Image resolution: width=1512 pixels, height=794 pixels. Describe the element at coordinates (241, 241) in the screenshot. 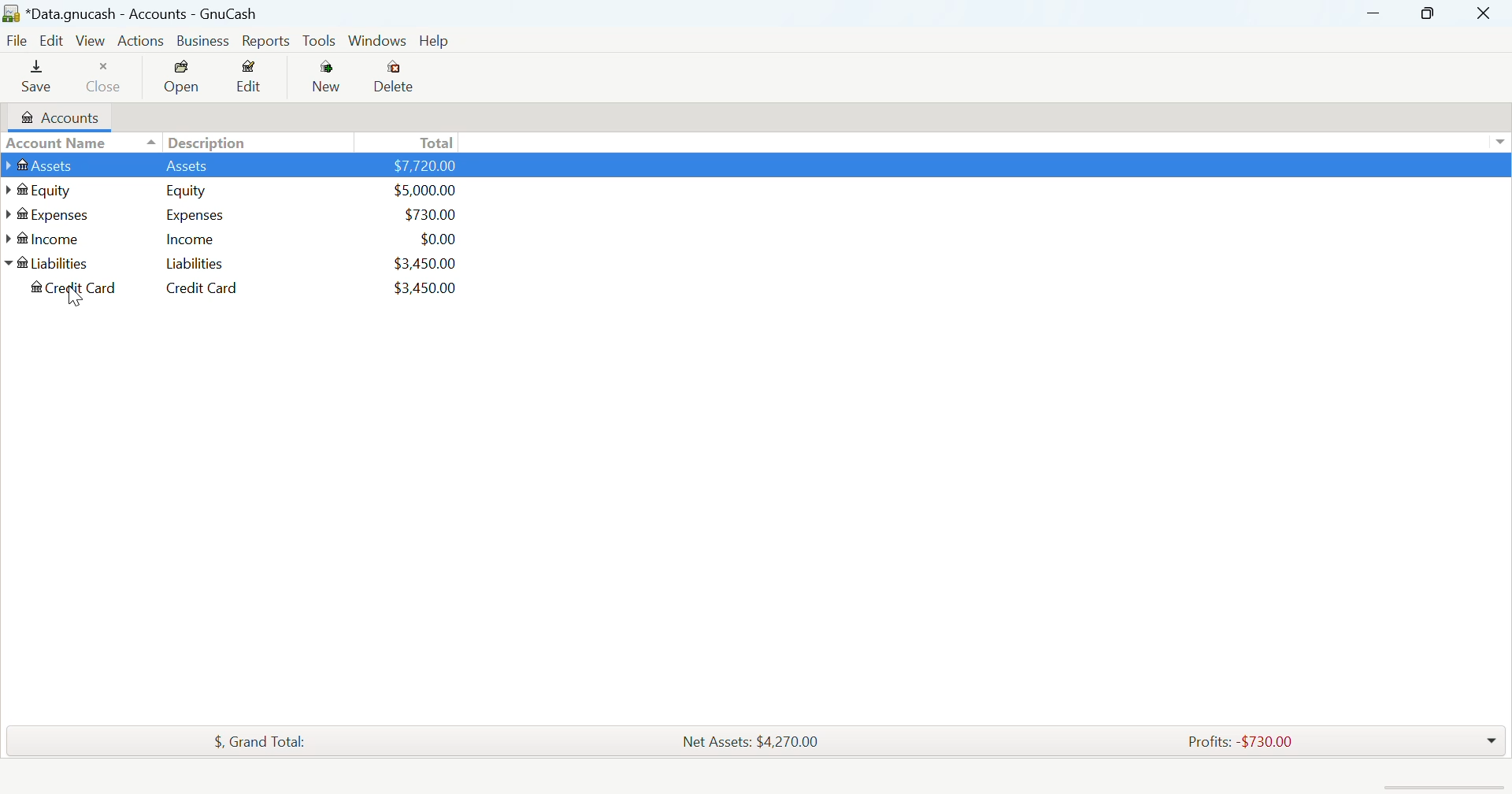

I see `Income Income $0.00` at that location.